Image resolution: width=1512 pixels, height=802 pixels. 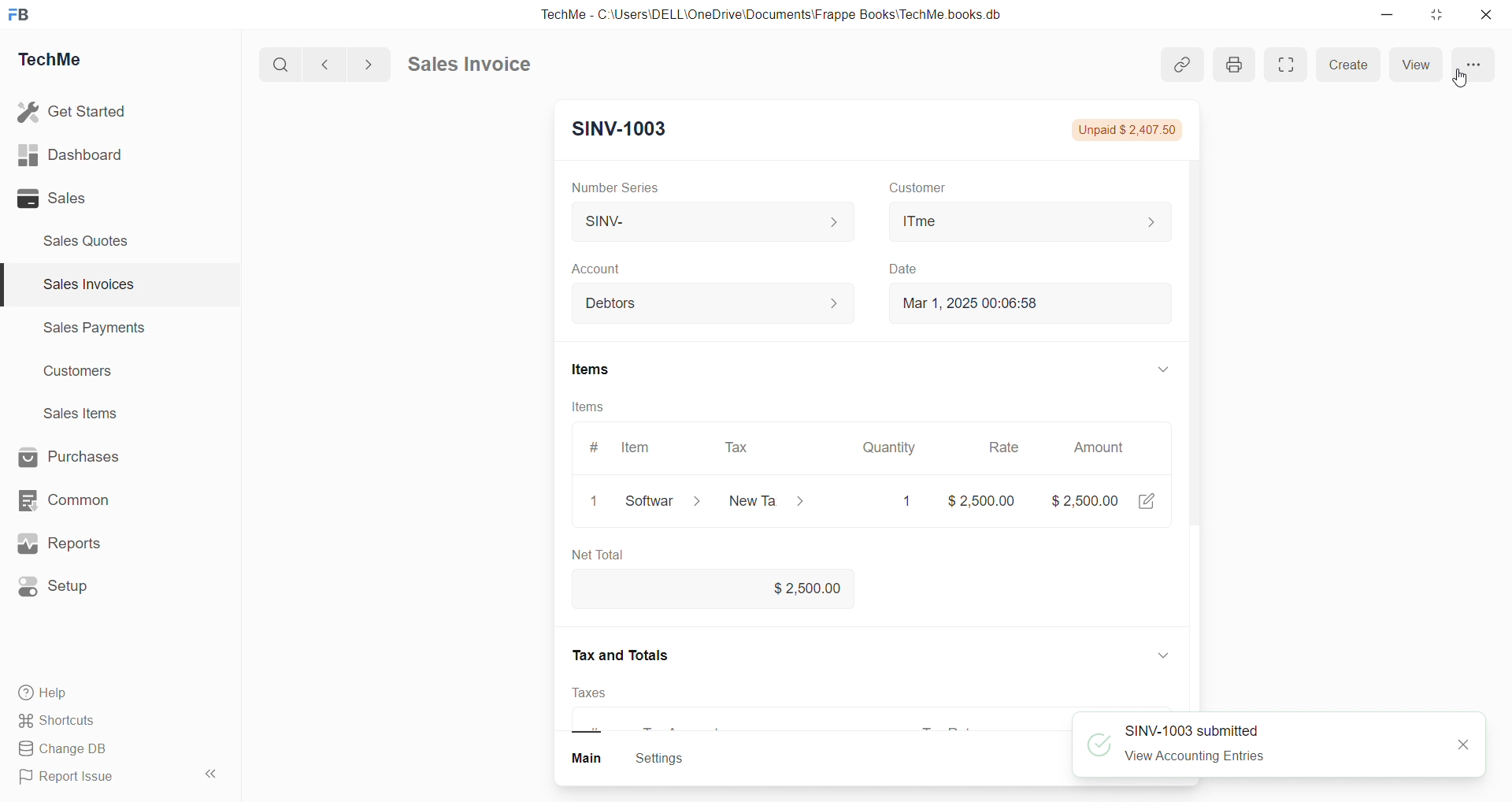 What do you see at coordinates (92, 240) in the screenshot?
I see `Sales Quotes` at bounding box center [92, 240].